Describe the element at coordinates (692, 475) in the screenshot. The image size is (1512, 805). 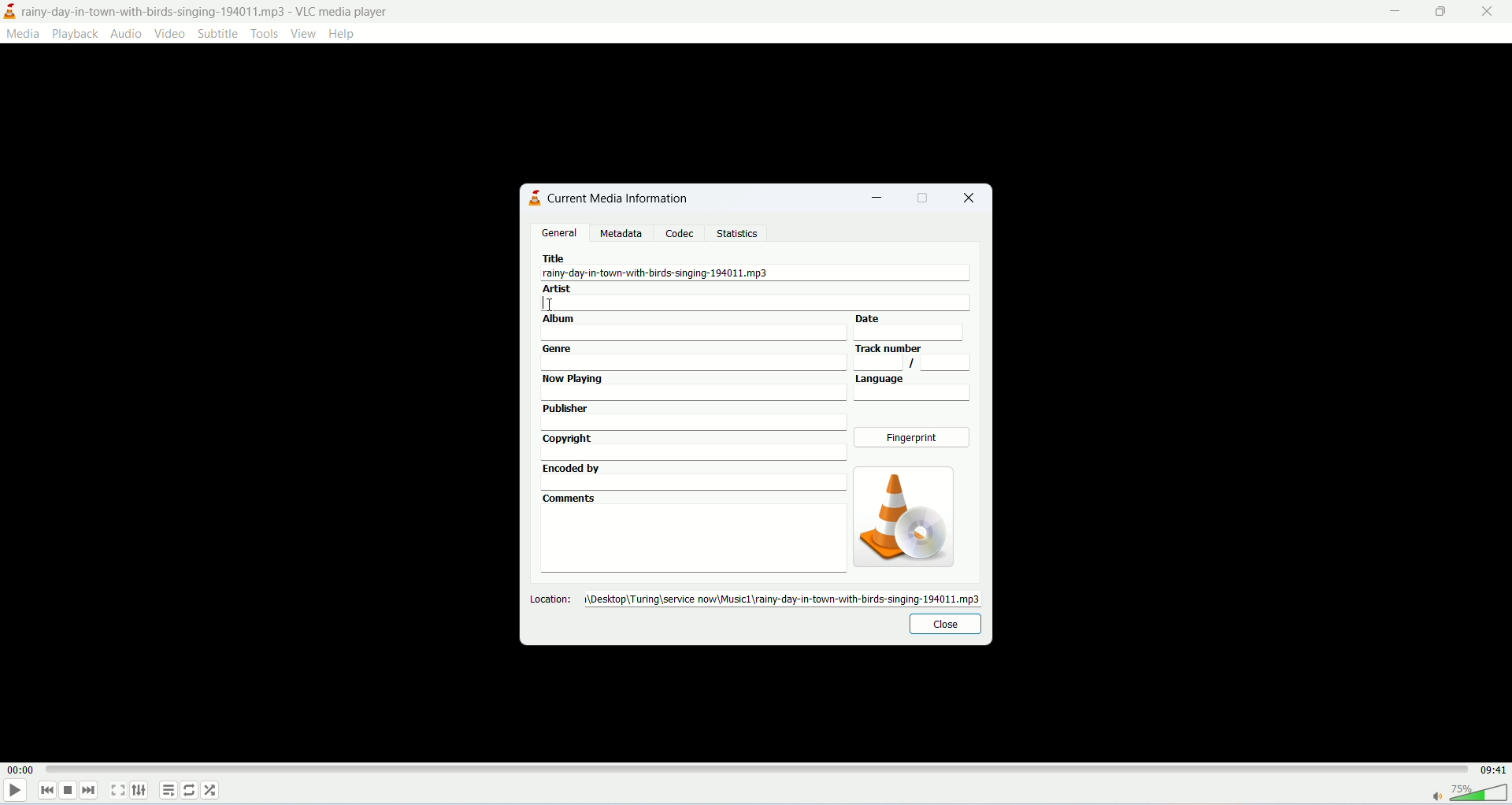
I see `encoded by` at that location.